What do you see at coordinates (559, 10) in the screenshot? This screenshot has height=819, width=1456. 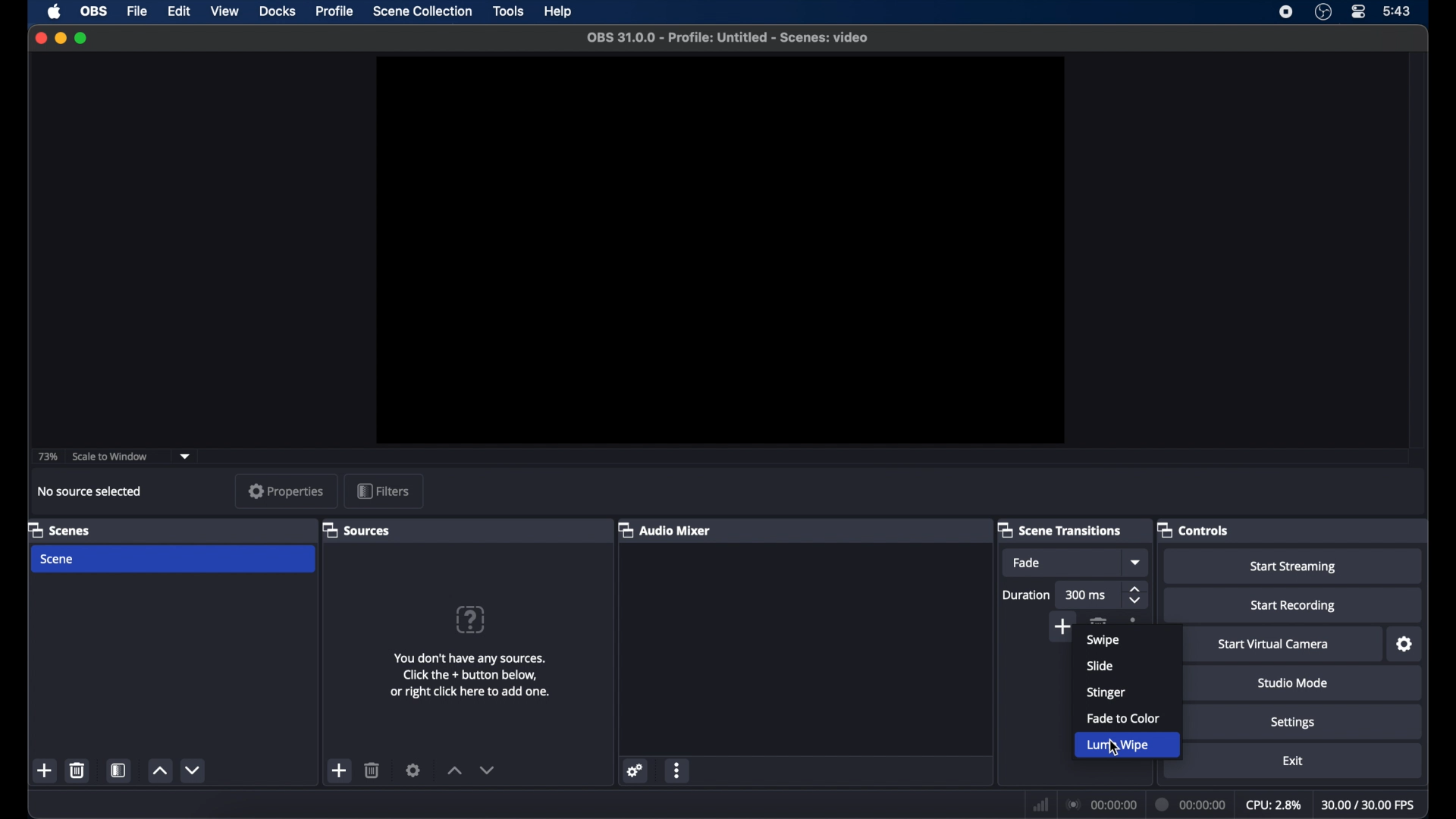 I see `help` at bounding box center [559, 10].